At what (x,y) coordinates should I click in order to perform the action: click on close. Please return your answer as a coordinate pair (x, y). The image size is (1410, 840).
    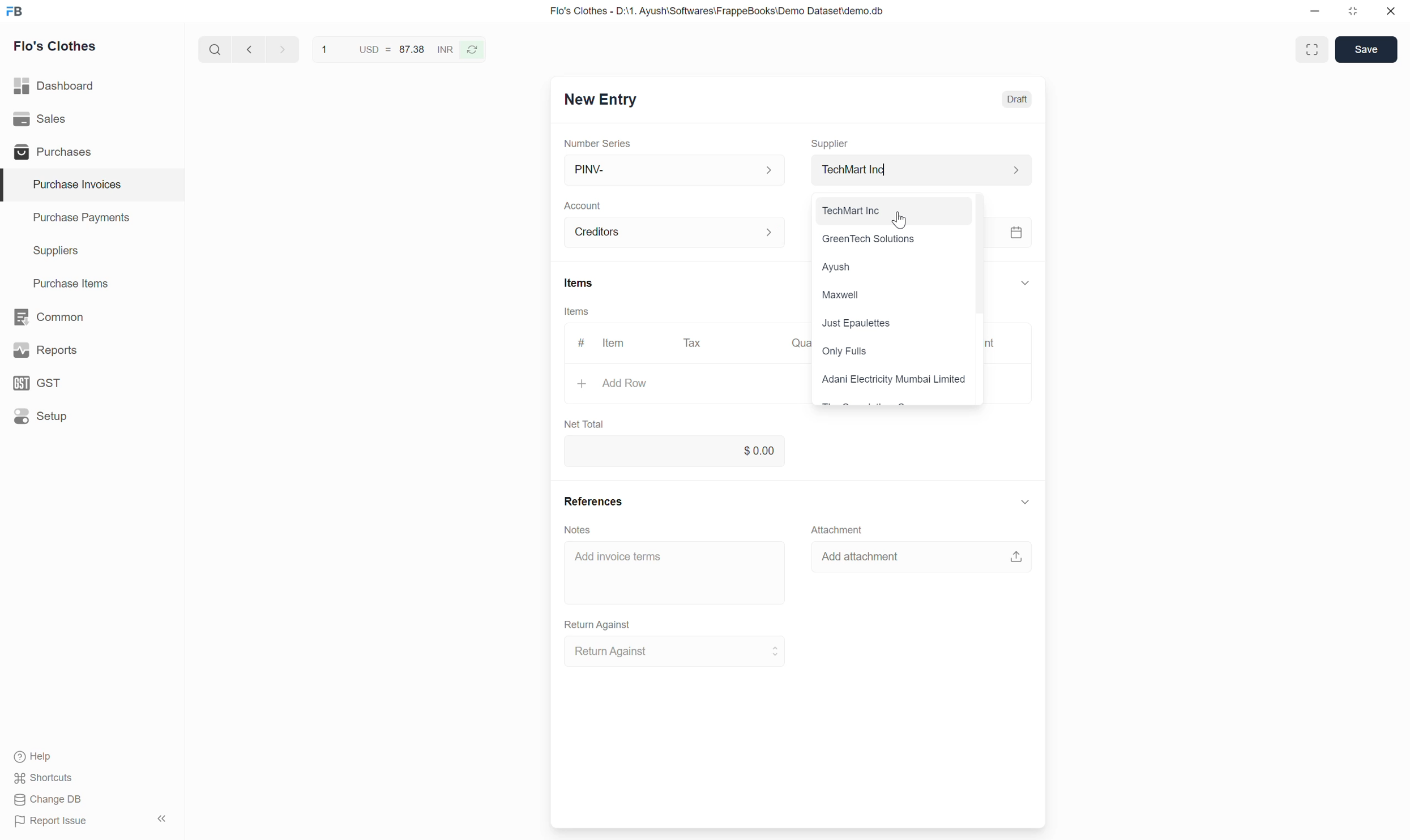
    Looking at the image, I should click on (1391, 13).